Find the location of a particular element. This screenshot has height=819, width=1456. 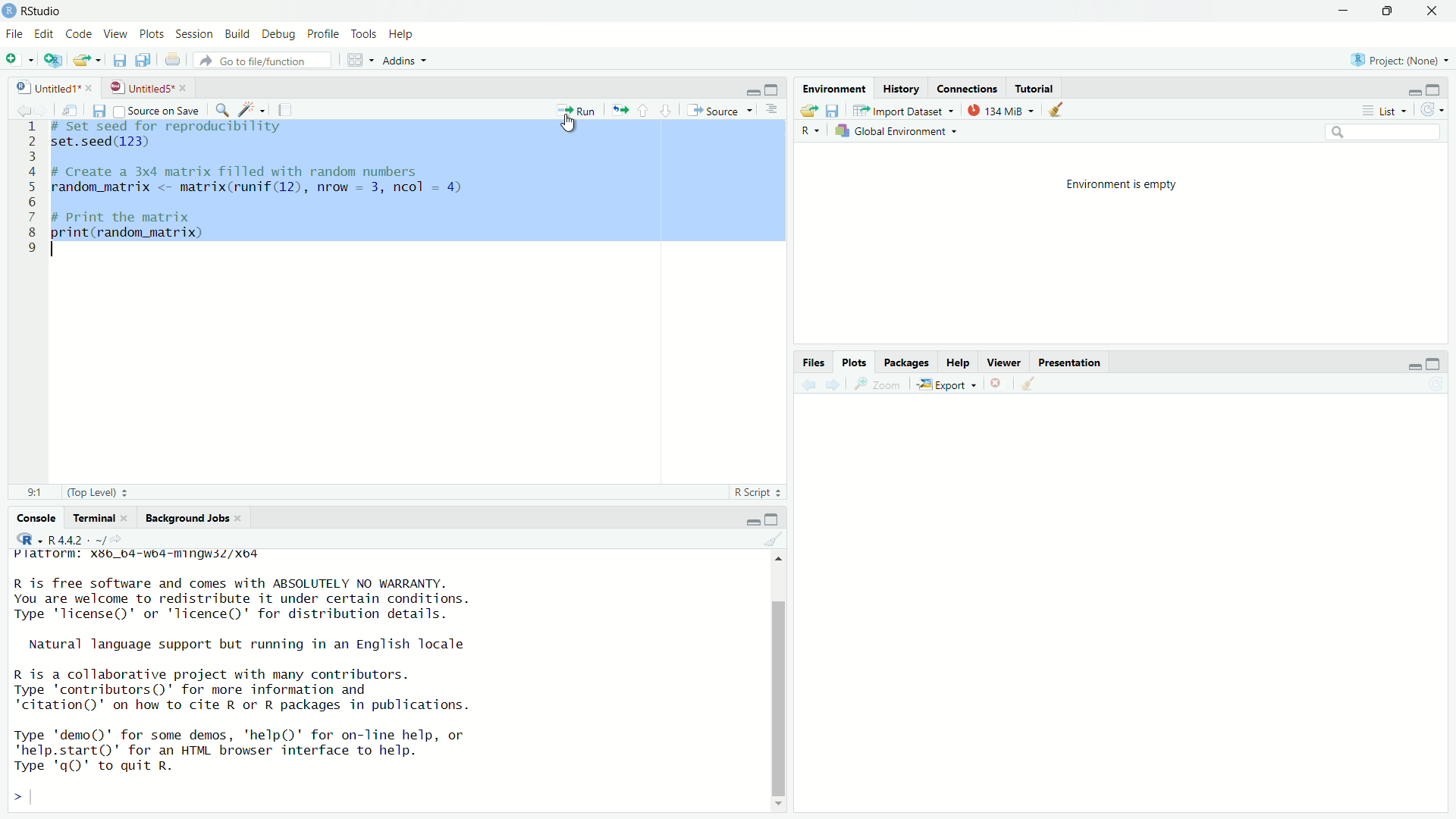

Addins + is located at coordinates (403, 60).